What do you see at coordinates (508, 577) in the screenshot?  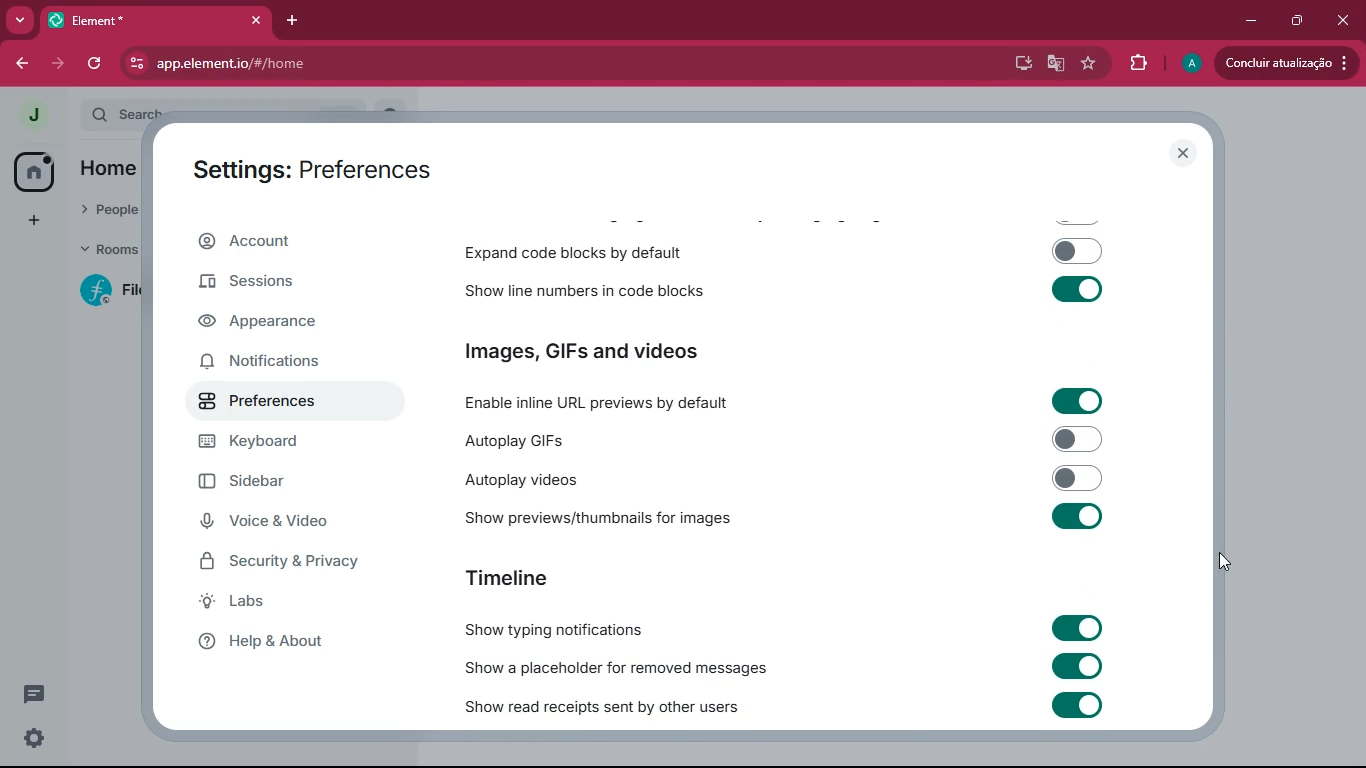 I see `timeline` at bounding box center [508, 577].